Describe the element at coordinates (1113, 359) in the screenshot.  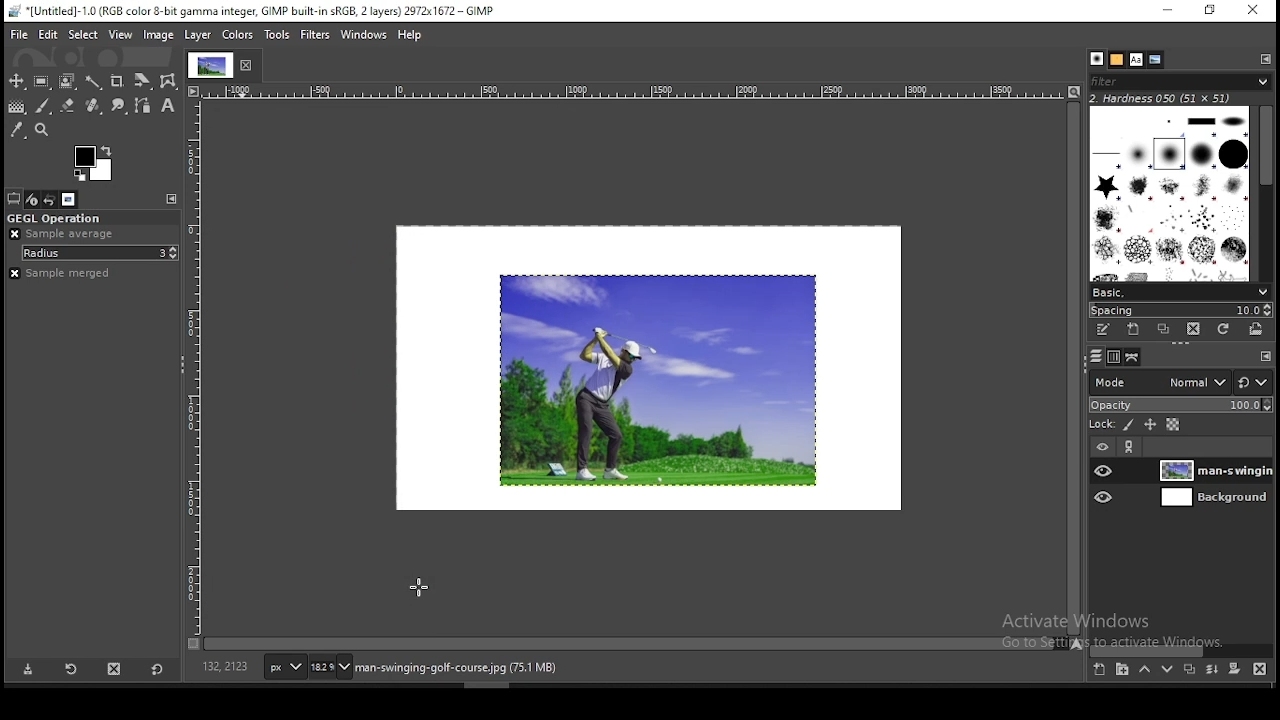
I see `channels` at that location.